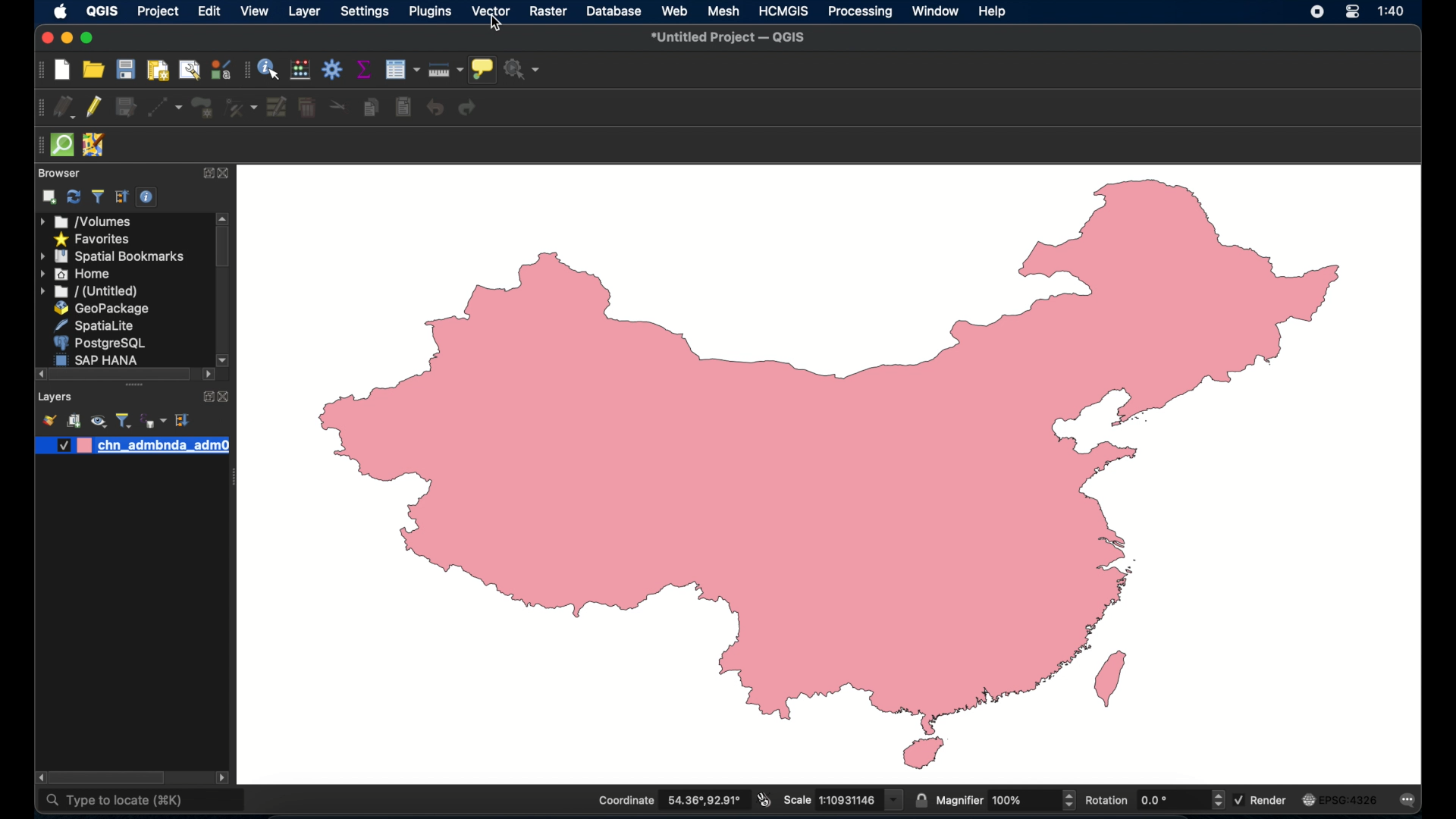  I want to click on drag handles, so click(136, 387).